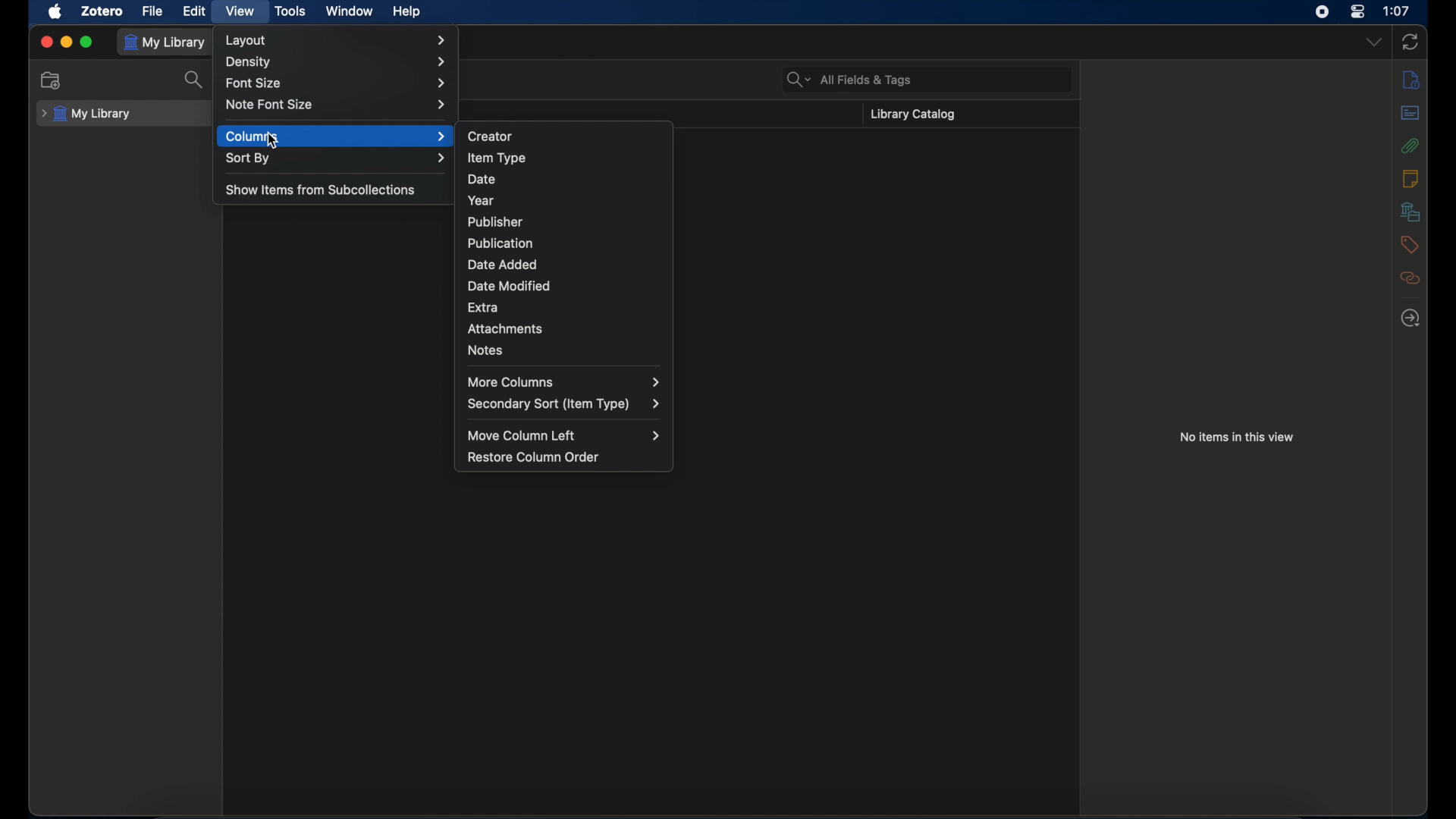 This screenshot has height=819, width=1456. What do you see at coordinates (1237, 437) in the screenshot?
I see `no items in this view` at bounding box center [1237, 437].